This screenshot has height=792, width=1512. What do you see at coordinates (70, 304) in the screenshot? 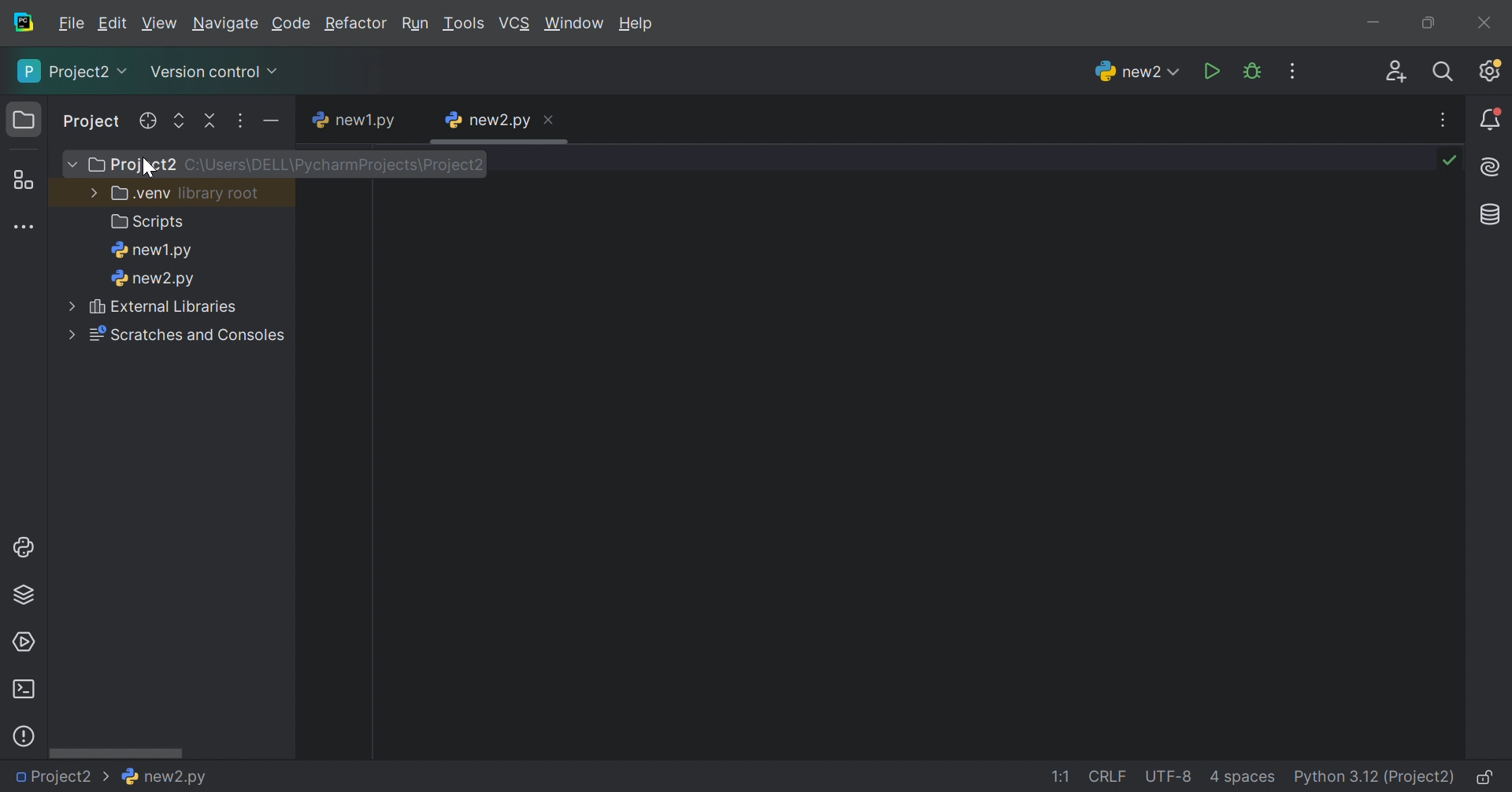
I see `More` at bounding box center [70, 304].